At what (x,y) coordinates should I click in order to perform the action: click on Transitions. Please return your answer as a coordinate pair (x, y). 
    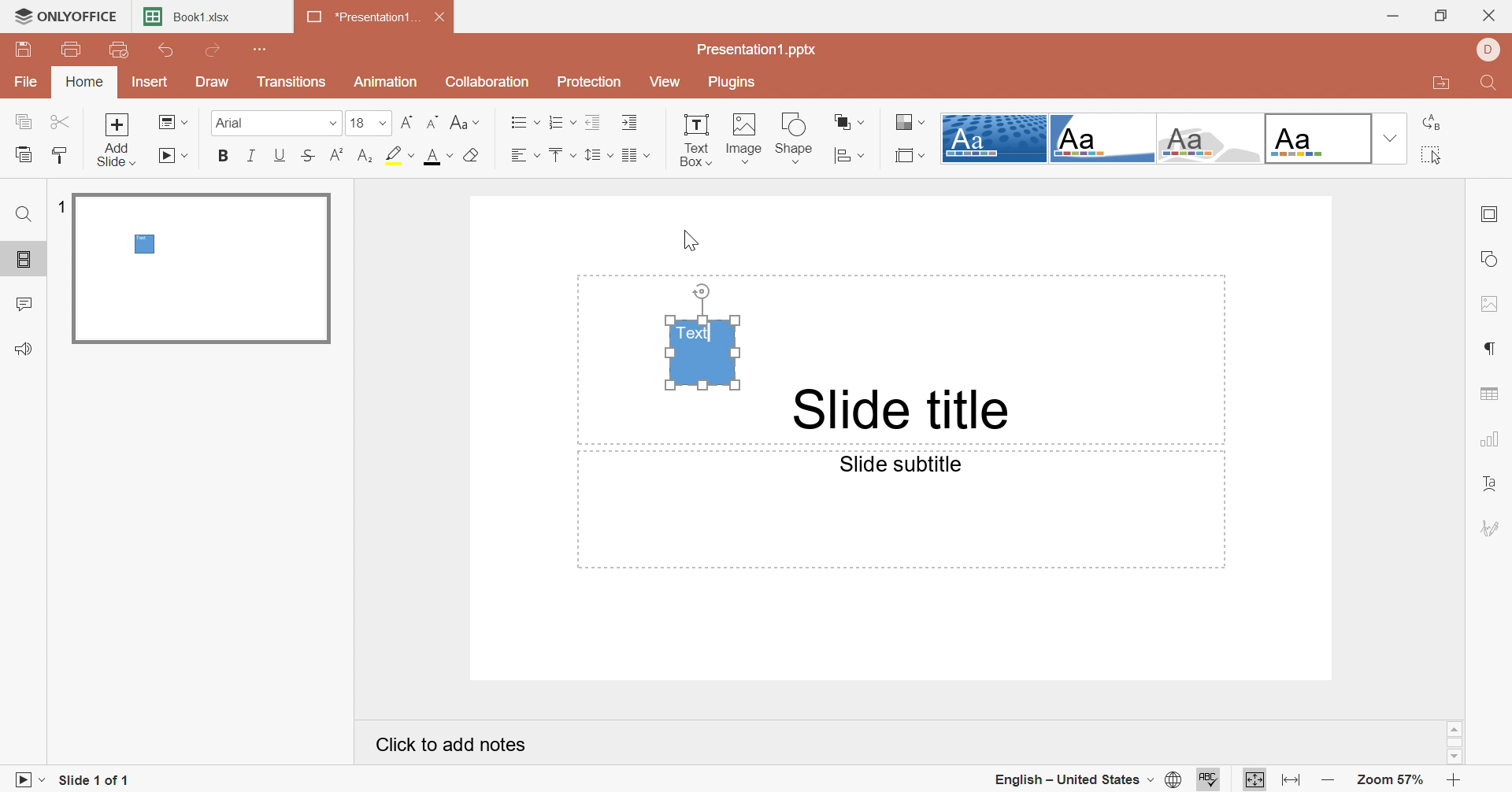
    Looking at the image, I should click on (292, 86).